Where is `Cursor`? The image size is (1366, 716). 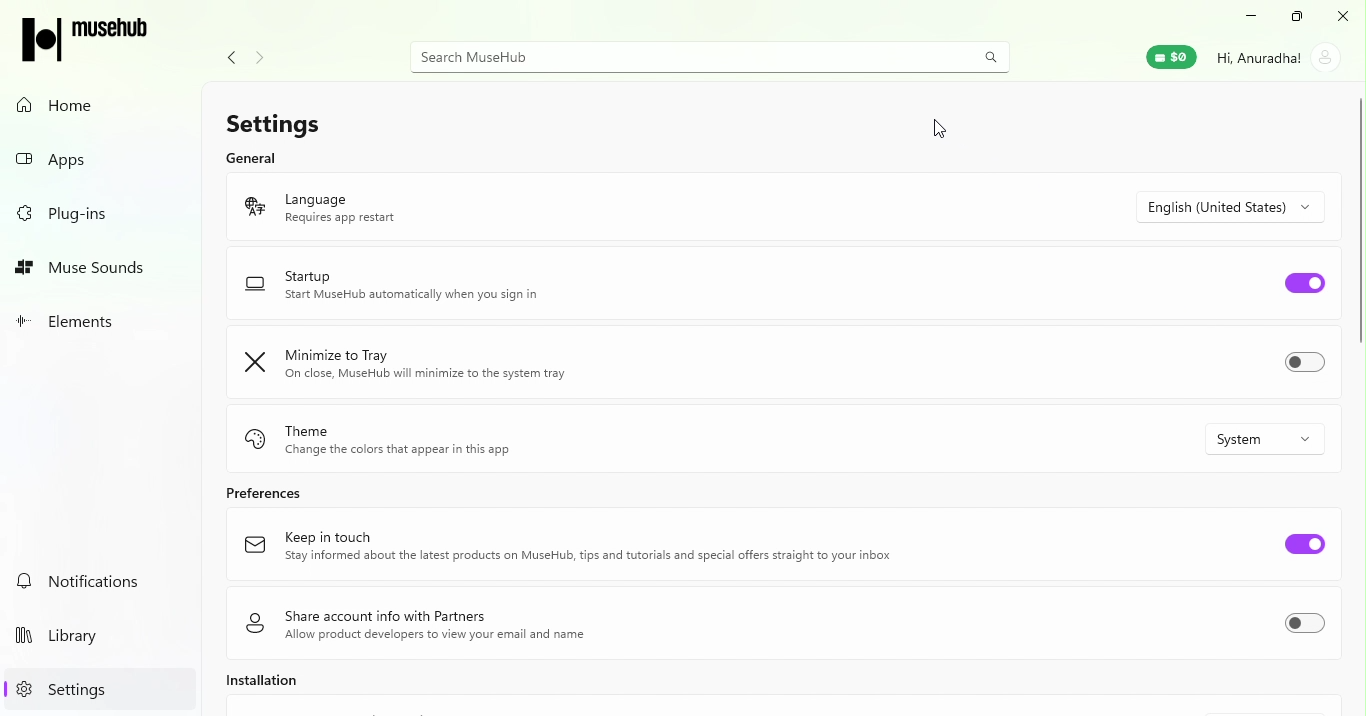 Cursor is located at coordinates (937, 128).